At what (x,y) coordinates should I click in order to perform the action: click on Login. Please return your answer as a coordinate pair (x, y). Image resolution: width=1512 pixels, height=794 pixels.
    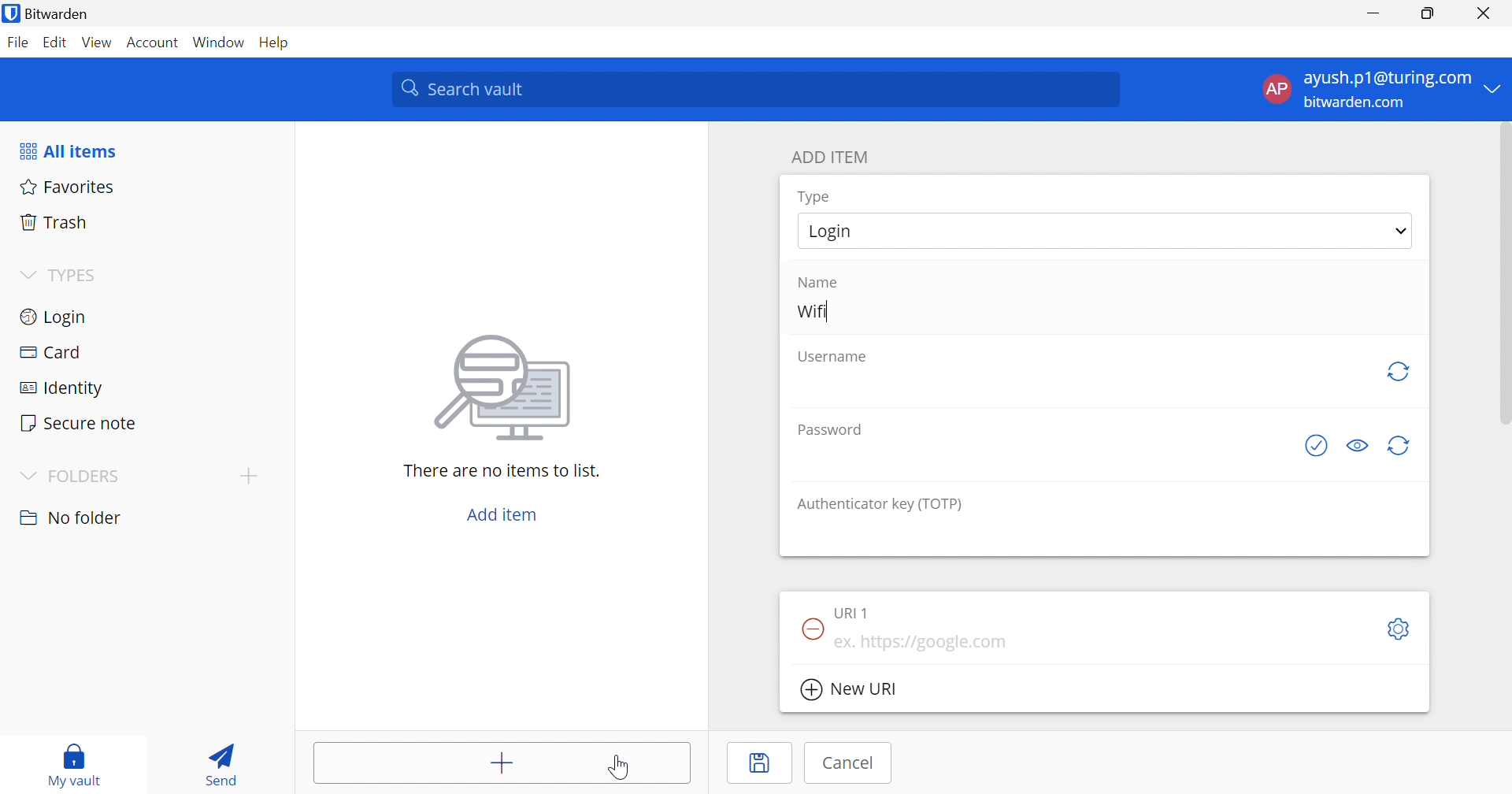
    Looking at the image, I should click on (838, 231).